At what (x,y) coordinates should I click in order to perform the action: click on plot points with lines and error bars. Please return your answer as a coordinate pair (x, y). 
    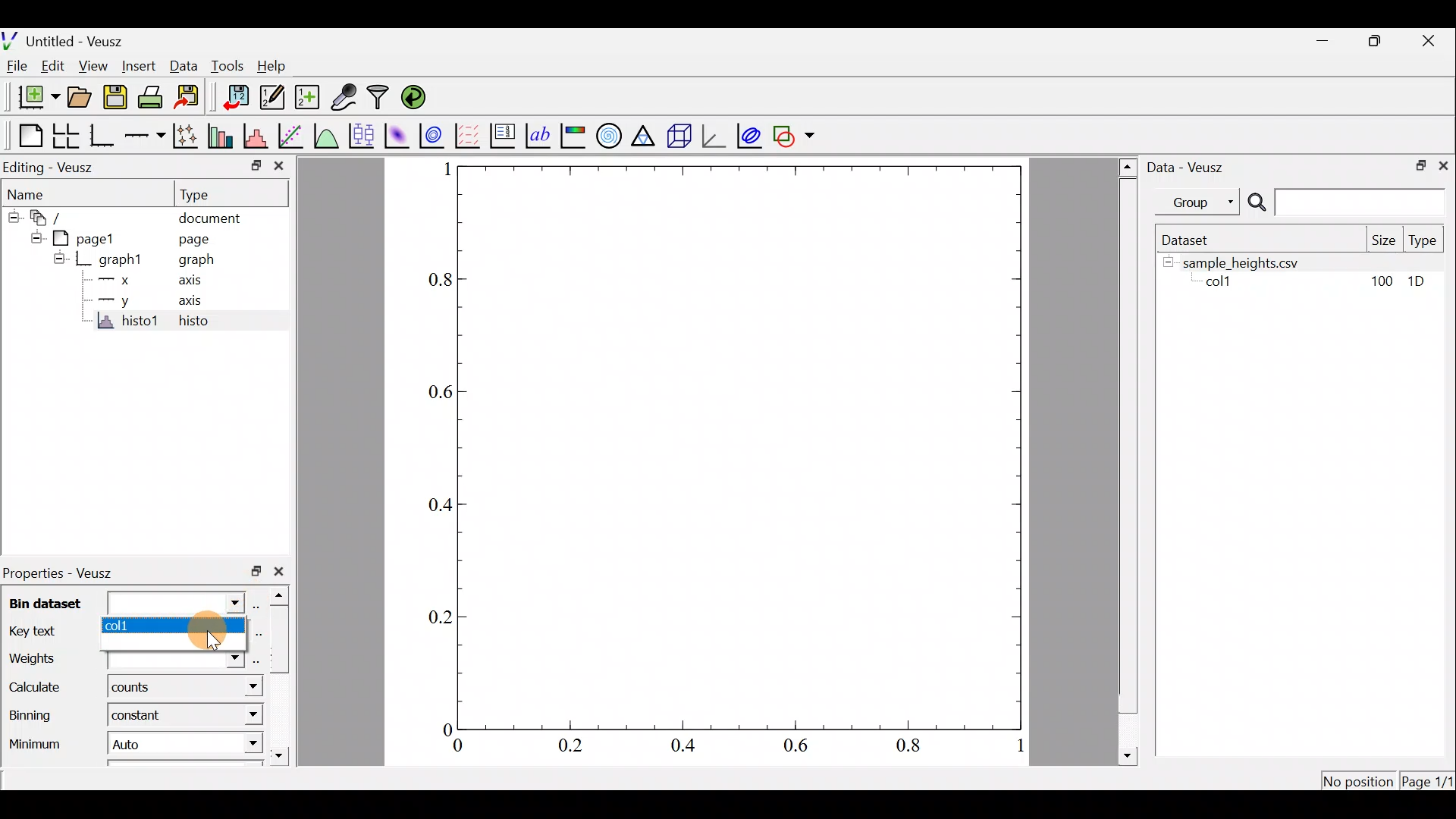
    Looking at the image, I should click on (185, 135).